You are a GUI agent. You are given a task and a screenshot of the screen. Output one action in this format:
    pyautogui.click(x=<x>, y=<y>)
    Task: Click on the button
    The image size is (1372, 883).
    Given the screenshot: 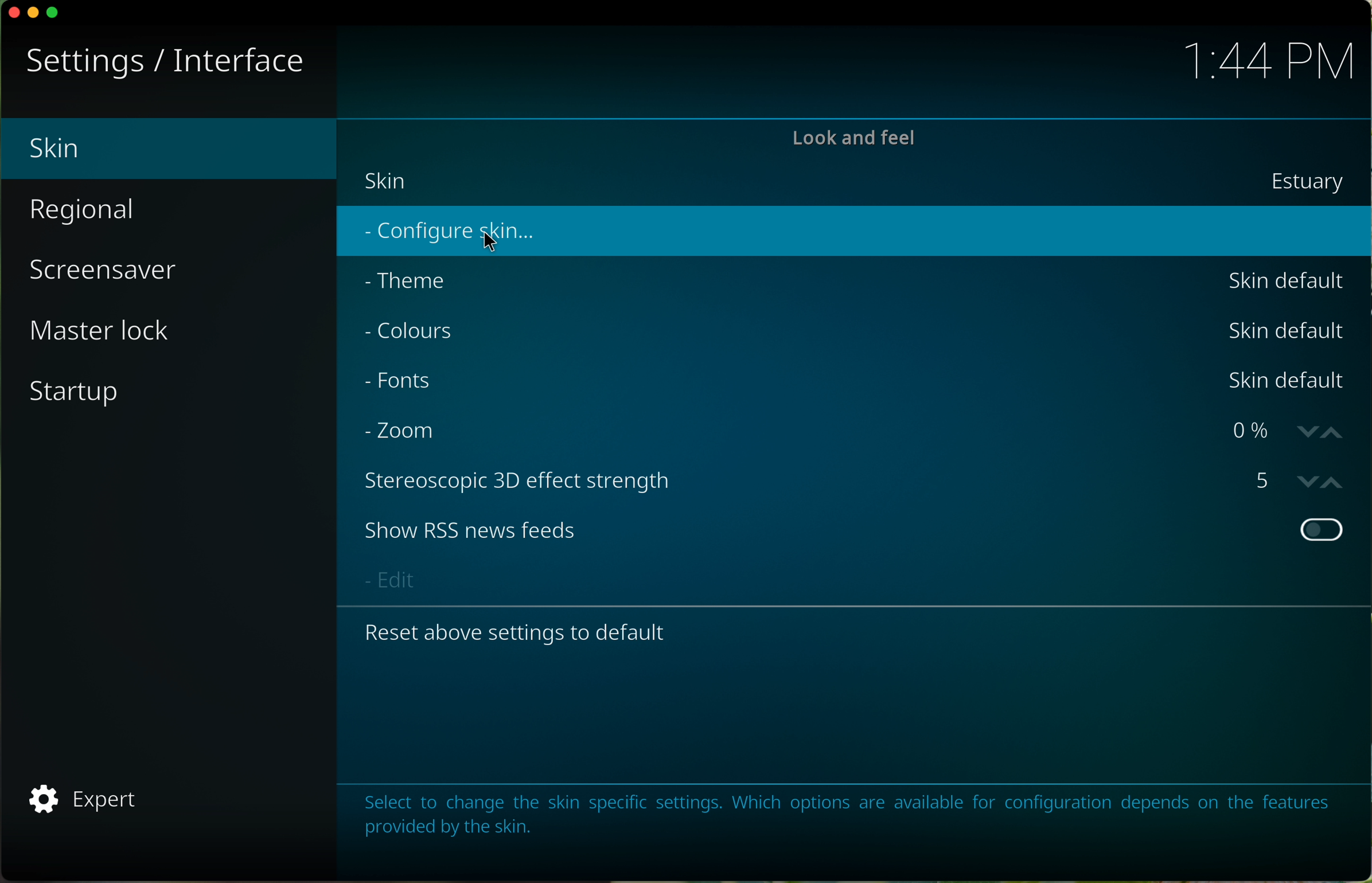 What is the action you would take?
    pyautogui.click(x=1322, y=530)
    